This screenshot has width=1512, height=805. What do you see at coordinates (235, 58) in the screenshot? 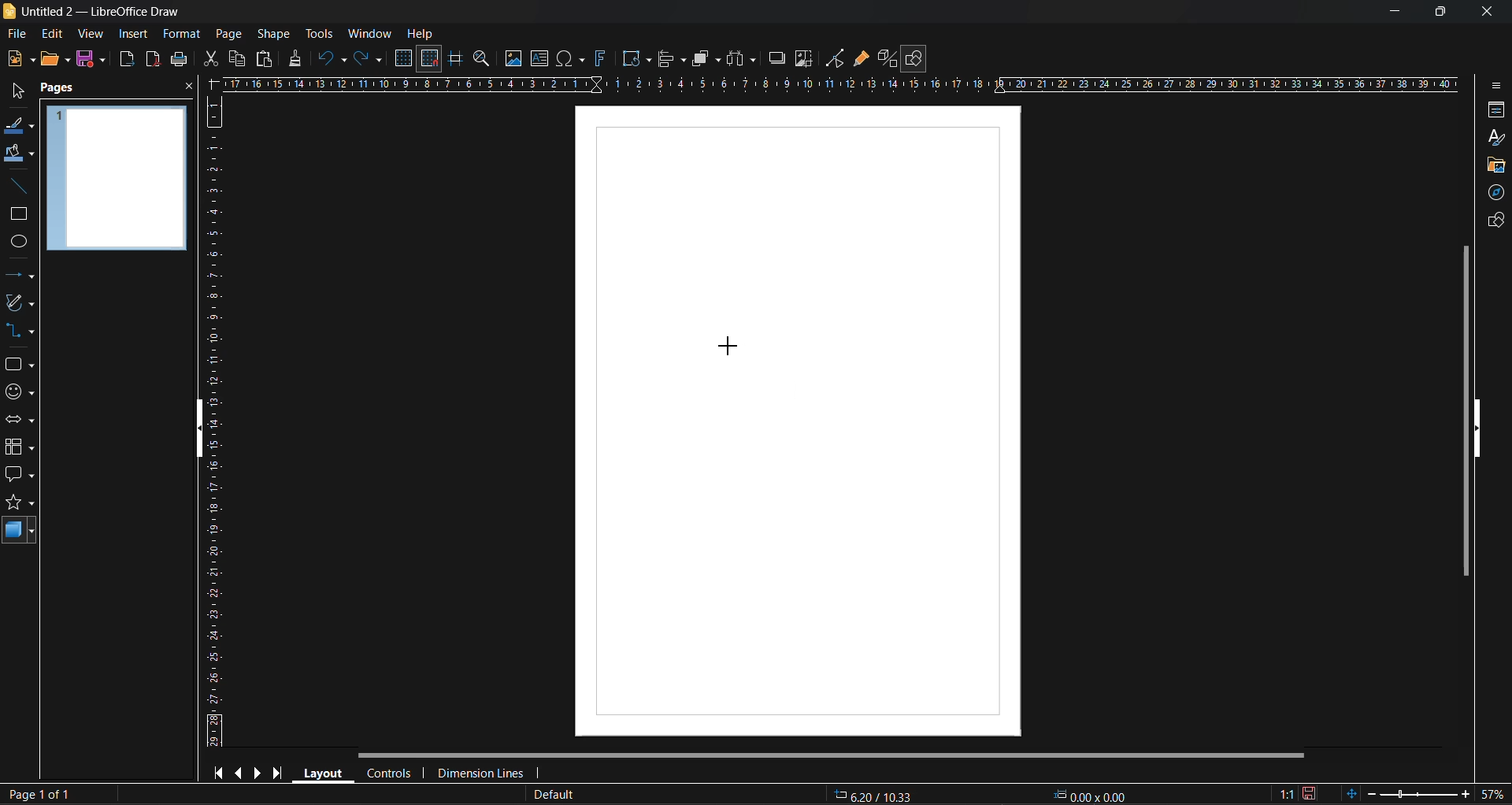
I see `copy` at bounding box center [235, 58].